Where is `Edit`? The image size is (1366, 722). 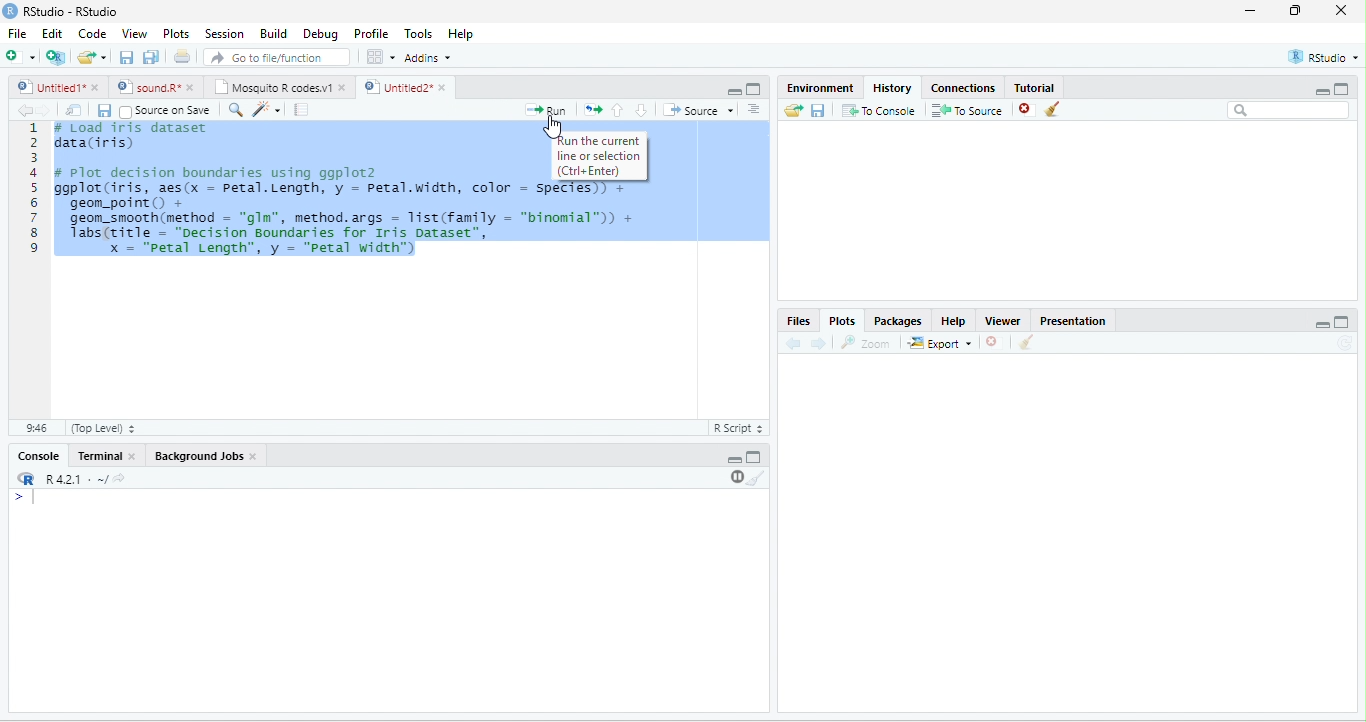
Edit is located at coordinates (52, 32).